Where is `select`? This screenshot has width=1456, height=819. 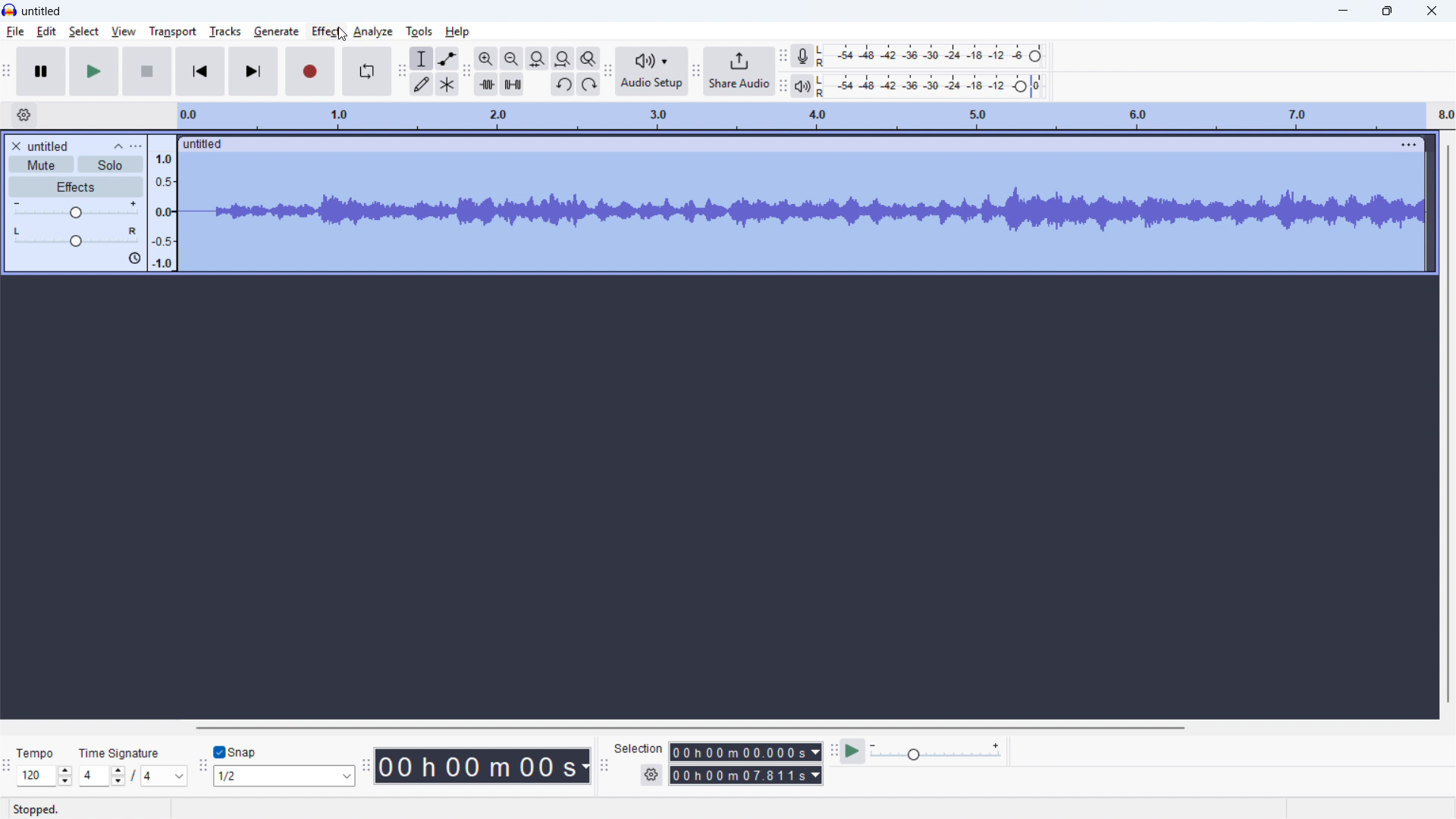 select is located at coordinates (85, 32).